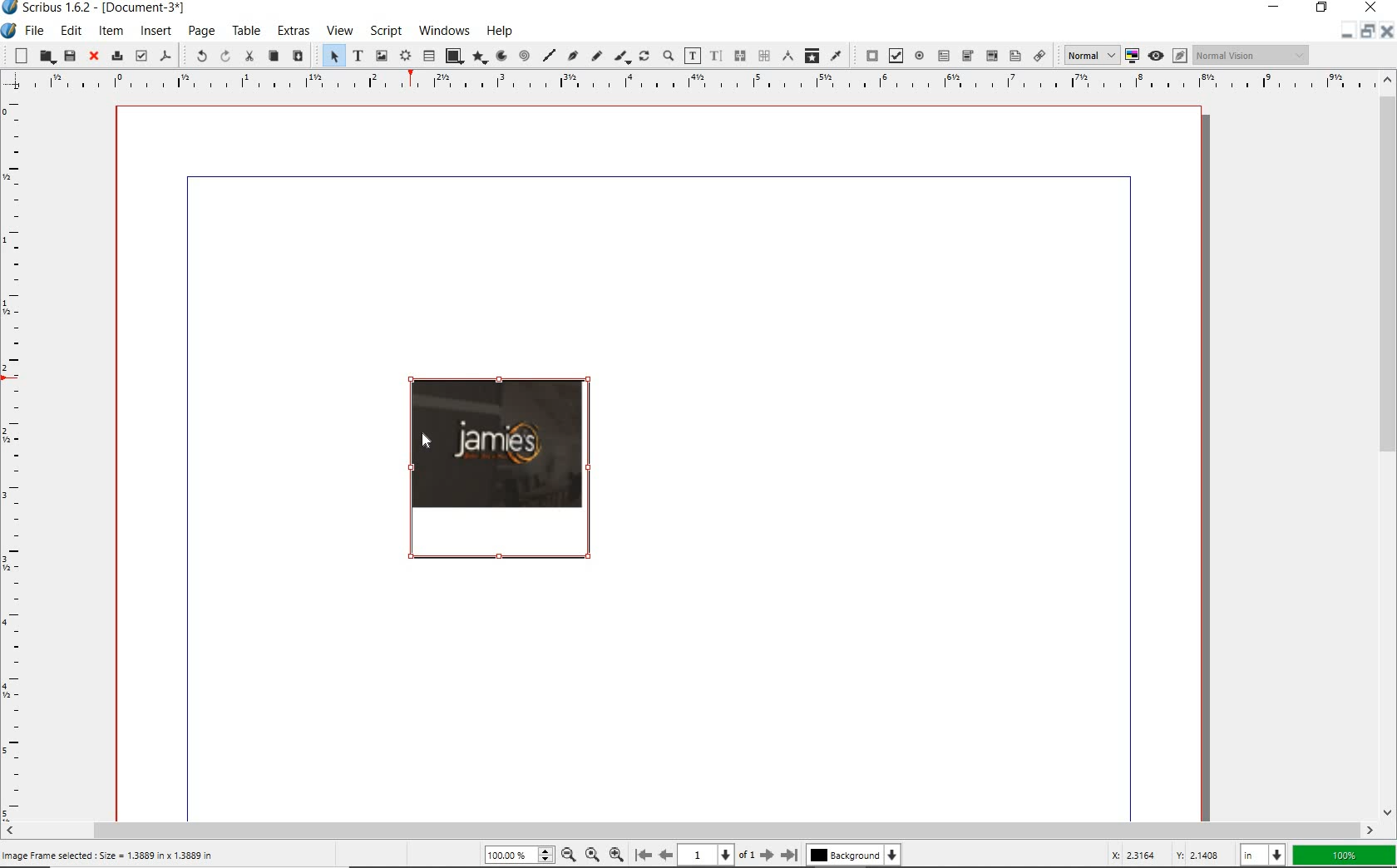 This screenshot has width=1397, height=868. What do you see at coordinates (644, 56) in the screenshot?
I see `rotate item` at bounding box center [644, 56].